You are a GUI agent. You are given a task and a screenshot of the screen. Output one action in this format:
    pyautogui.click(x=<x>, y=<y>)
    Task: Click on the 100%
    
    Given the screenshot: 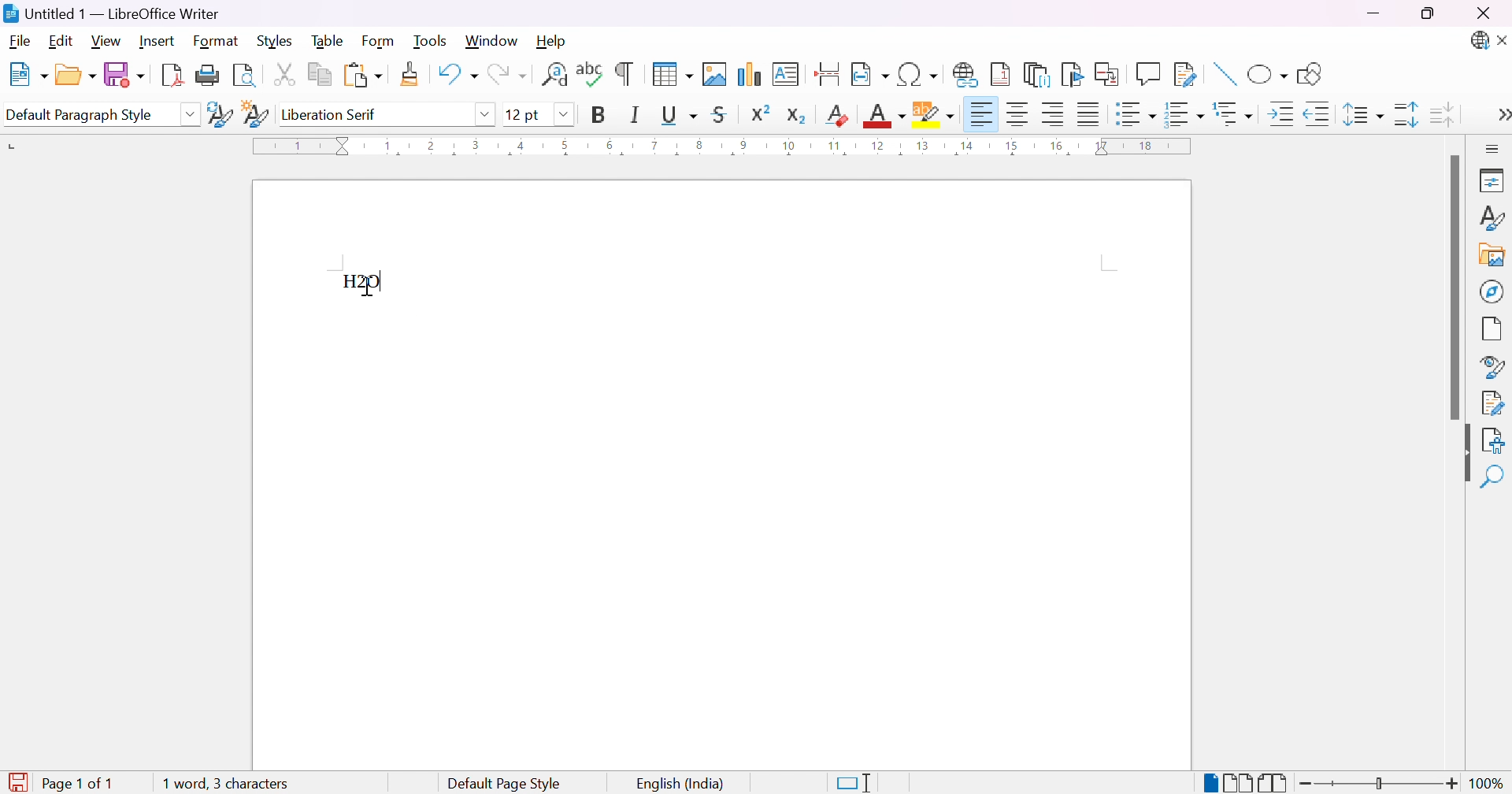 What is the action you would take?
    pyautogui.click(x=1488, y=784)
    